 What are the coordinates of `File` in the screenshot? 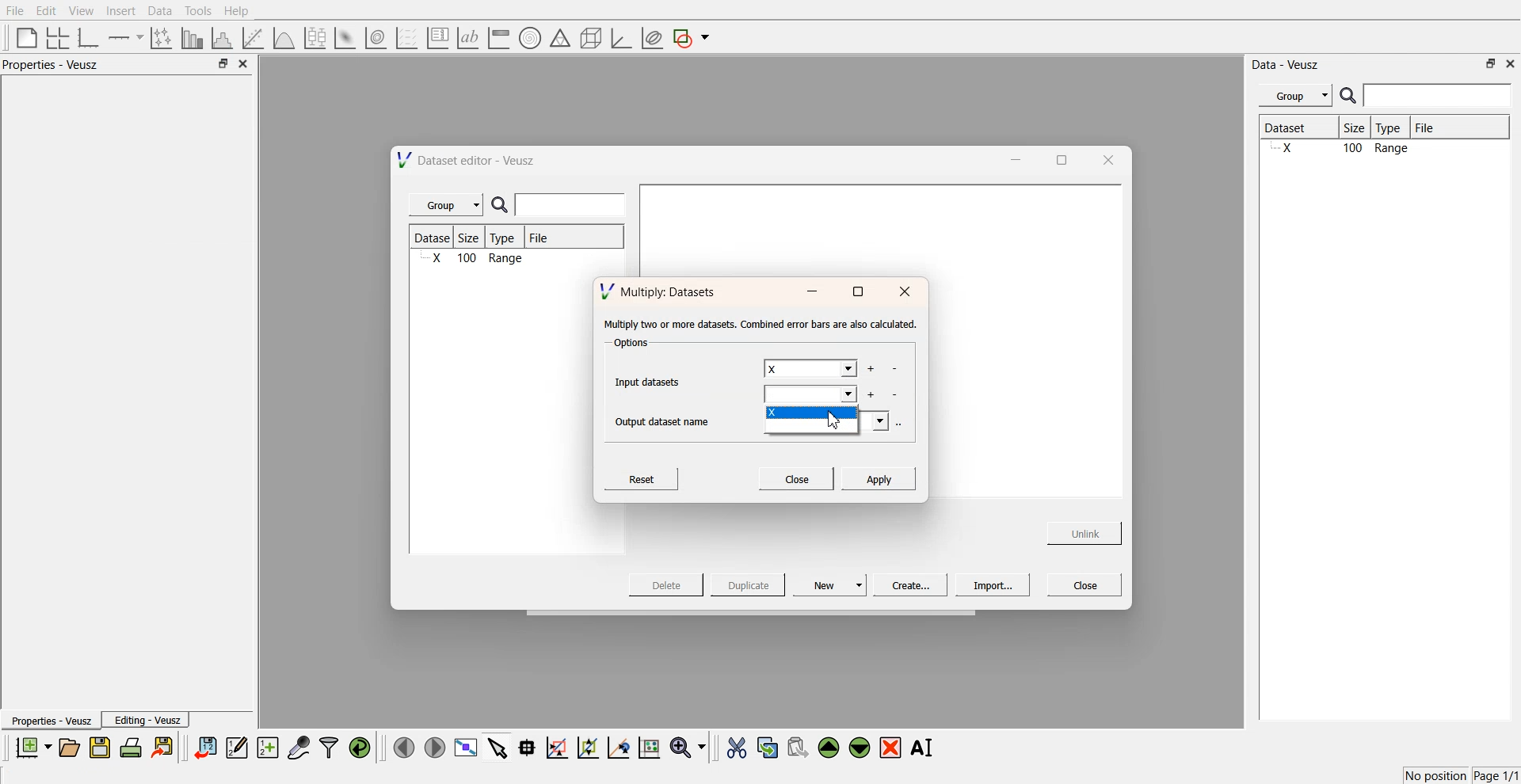 It's located at (16, 11).